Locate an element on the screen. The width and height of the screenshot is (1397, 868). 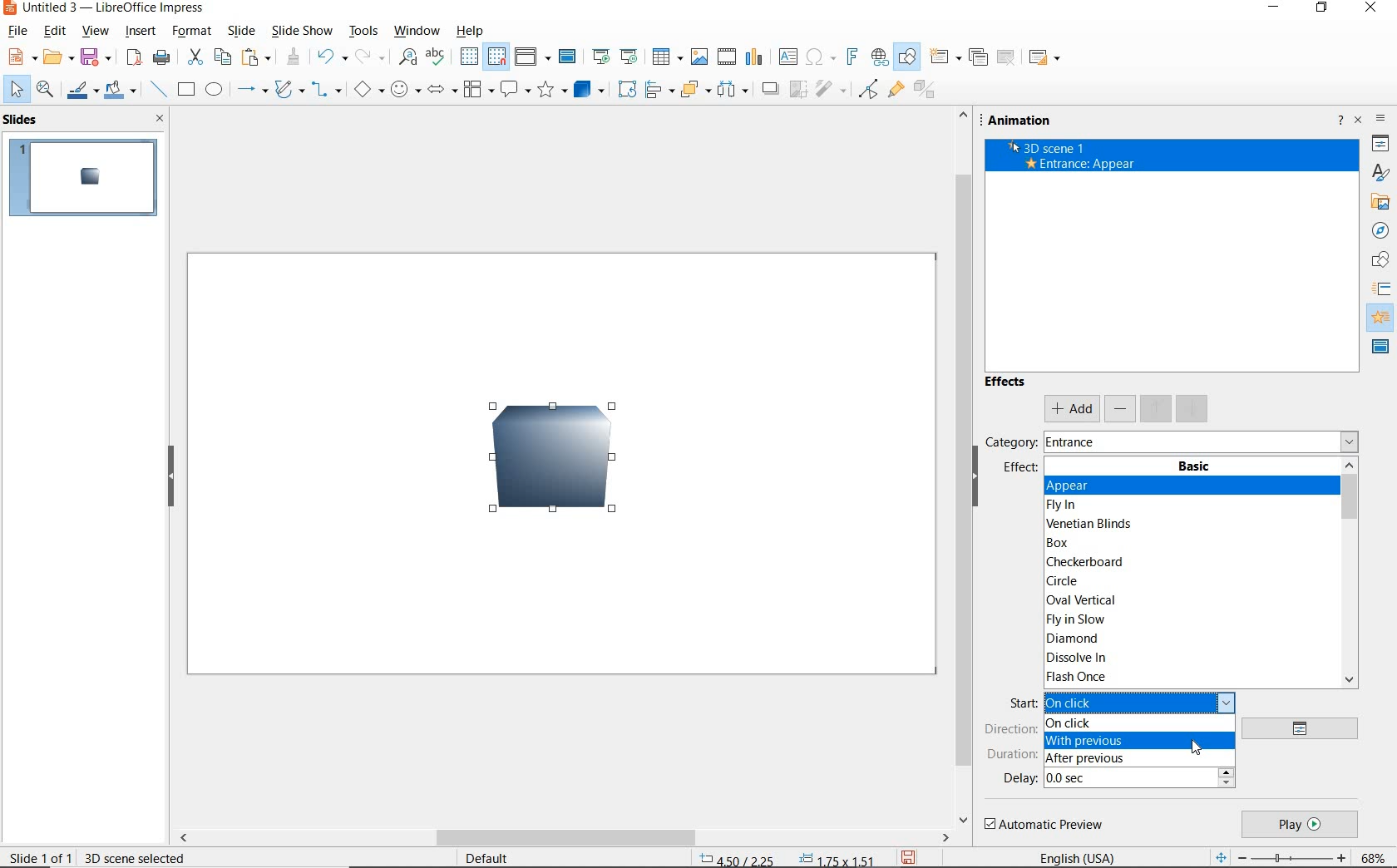
line color is located at coordinates (81, 91).